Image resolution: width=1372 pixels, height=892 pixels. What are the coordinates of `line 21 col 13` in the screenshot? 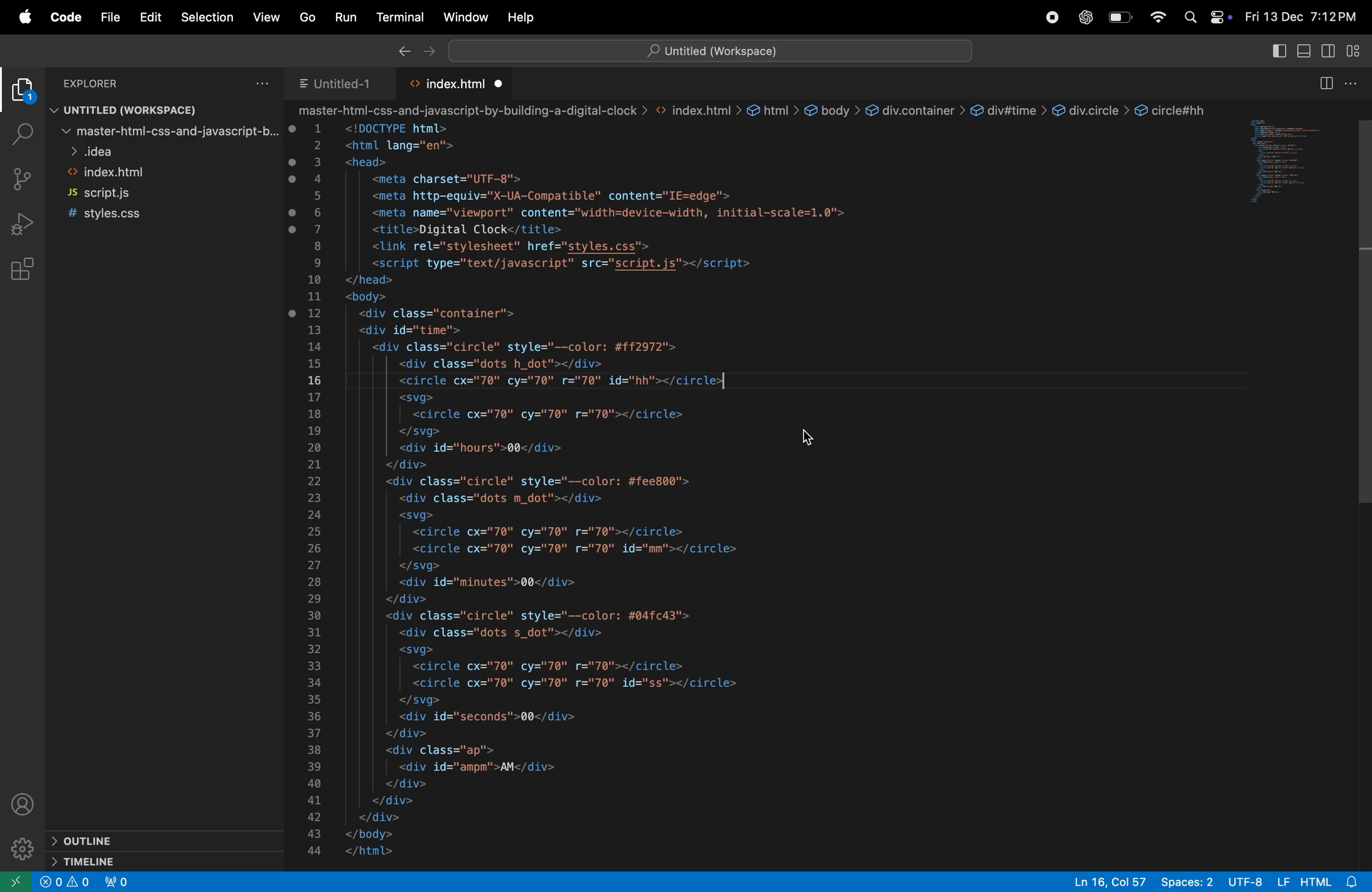 It's located at (1111, 880).